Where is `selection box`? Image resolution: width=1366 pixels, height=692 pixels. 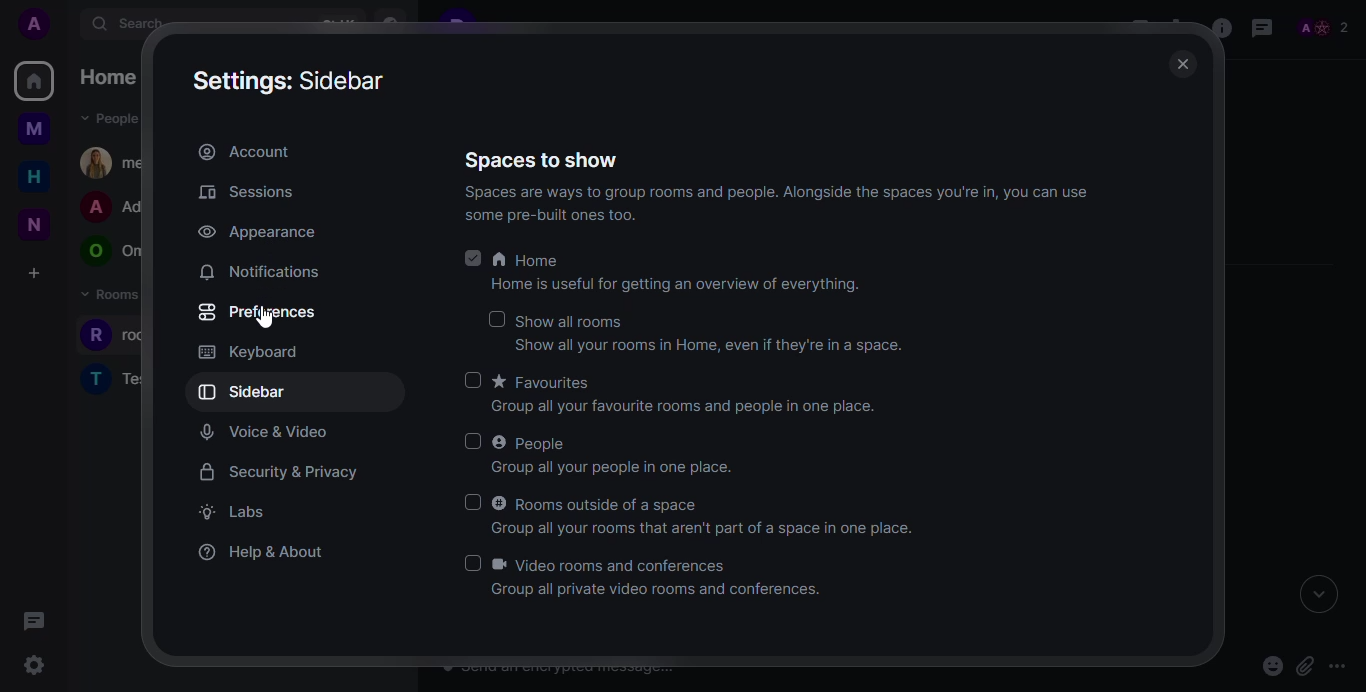 selection box is located at coordinates (476, 380).